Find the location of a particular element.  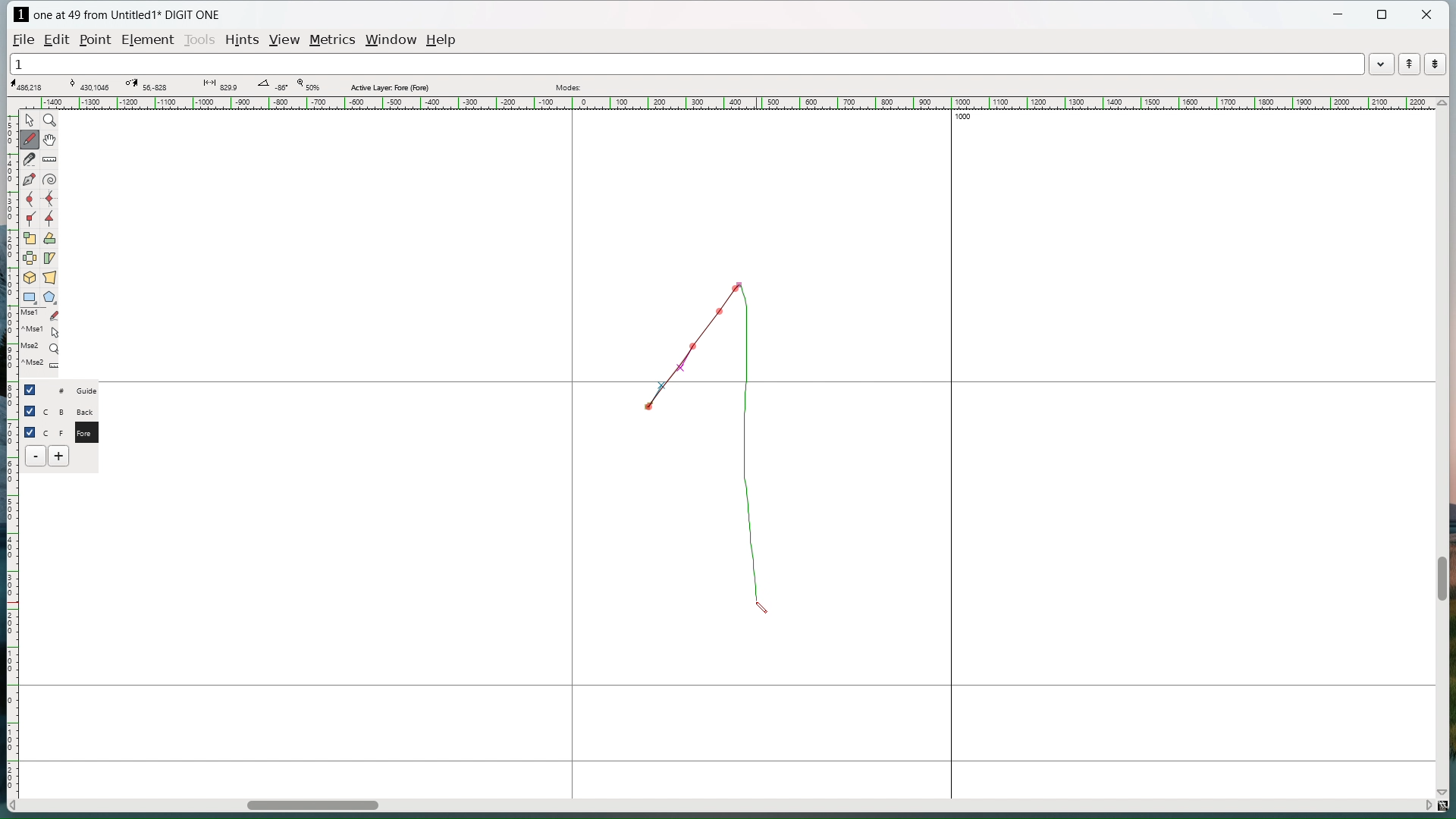

delete layer is located at coordinates (36, 456).